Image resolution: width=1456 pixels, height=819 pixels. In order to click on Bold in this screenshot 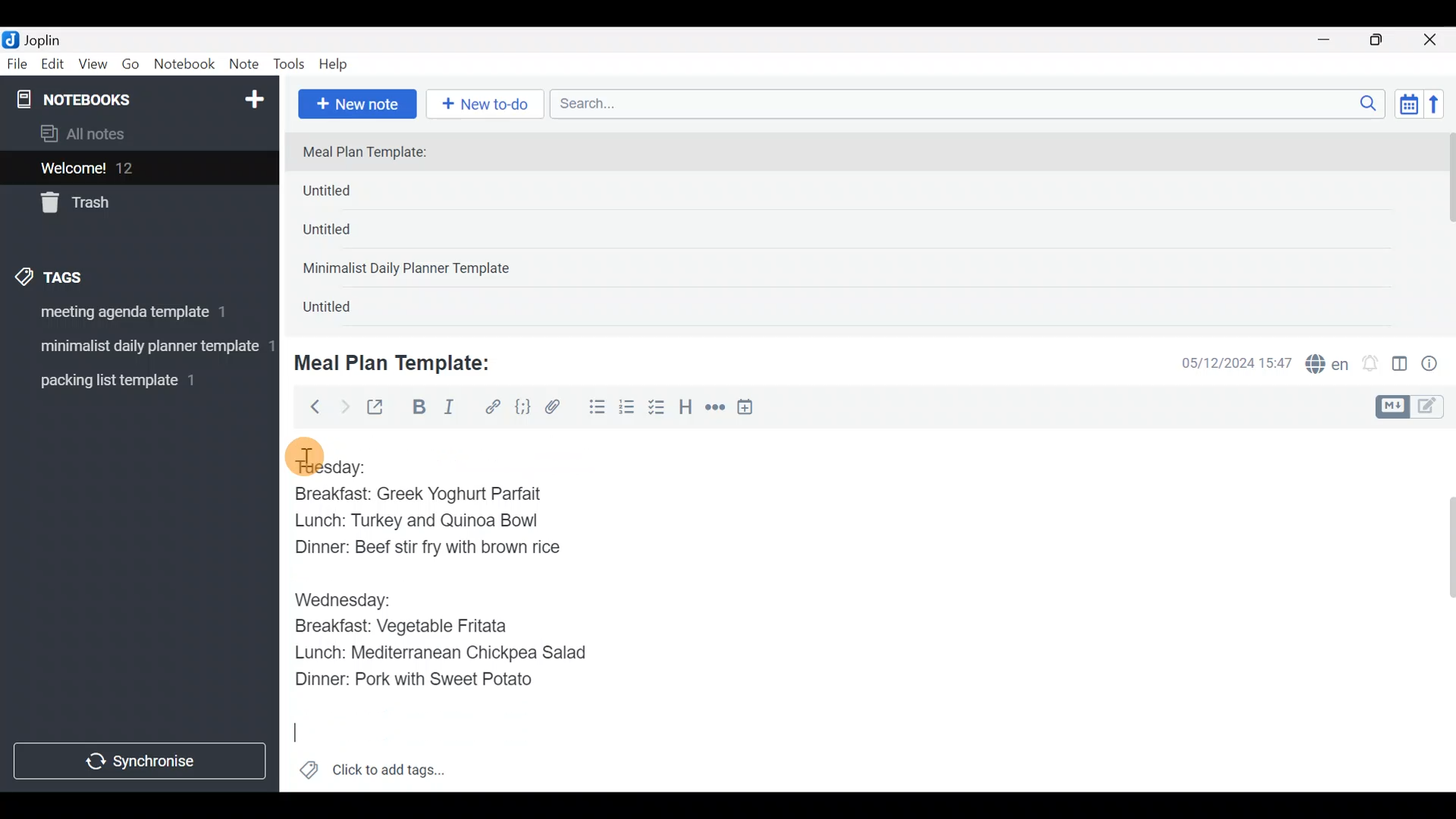, I will do `click(418, 409)`.